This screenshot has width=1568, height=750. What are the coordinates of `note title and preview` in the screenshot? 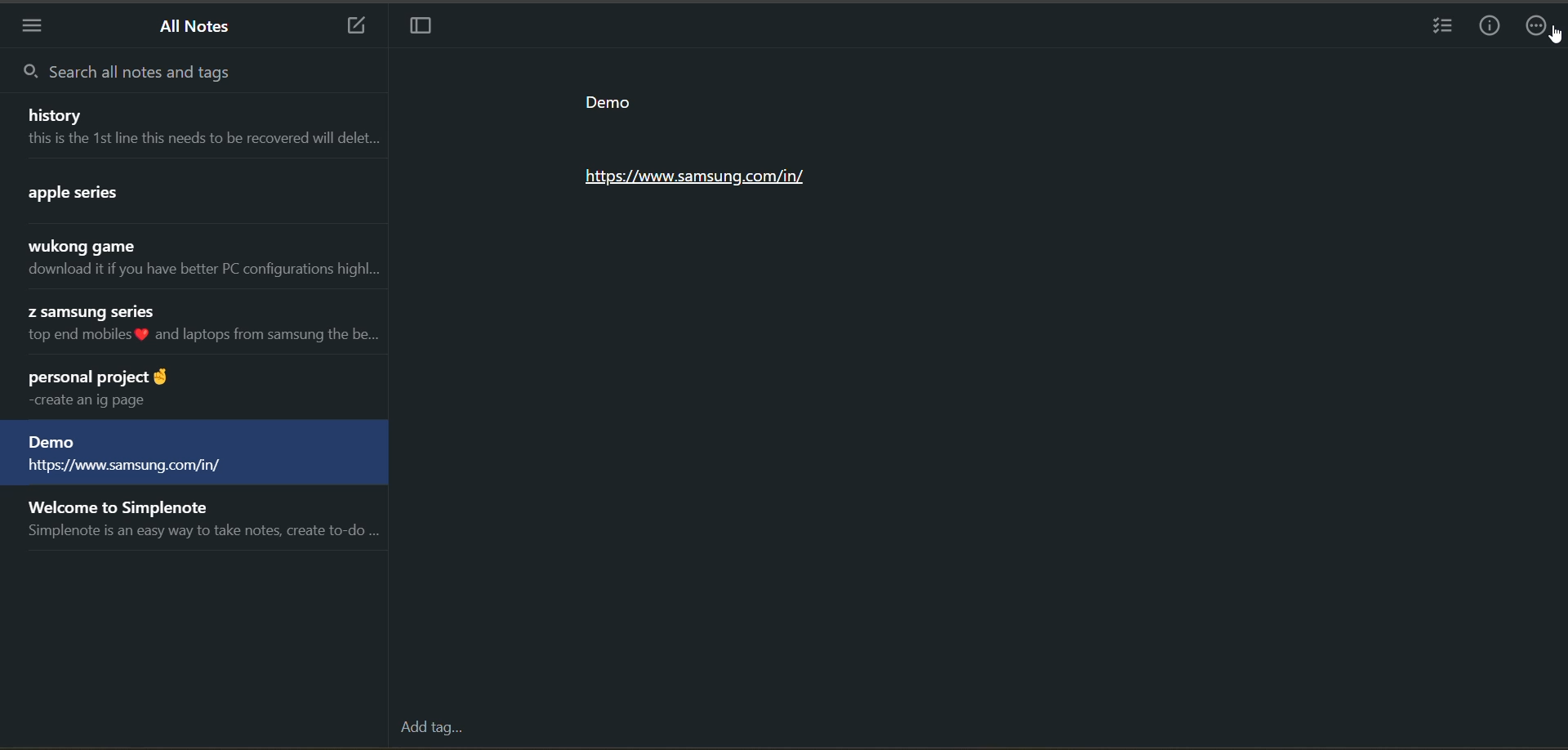 It's located at (195, 194).